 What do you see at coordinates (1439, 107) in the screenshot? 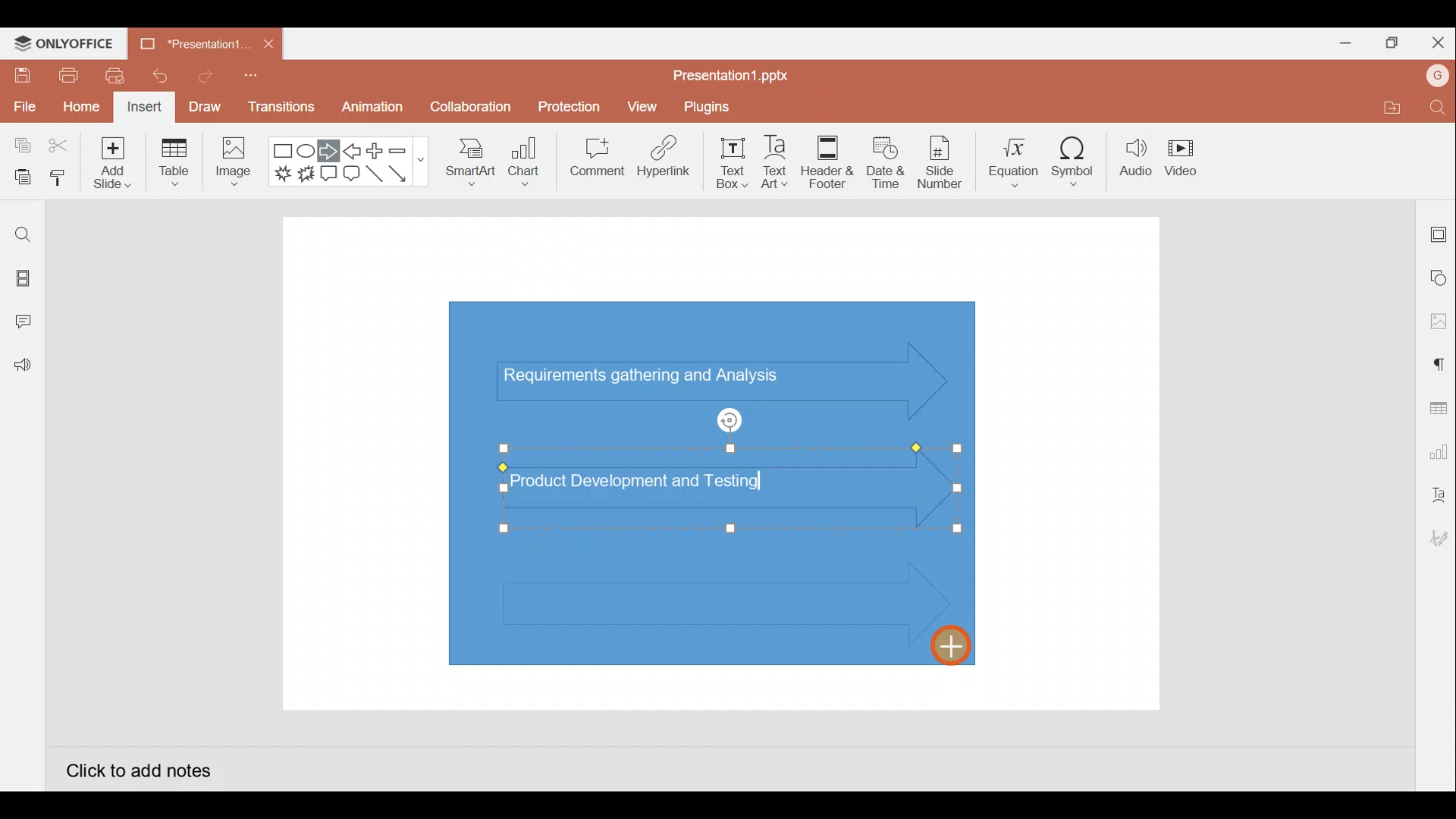
I see `Find` at bounding box center [1439, 107].